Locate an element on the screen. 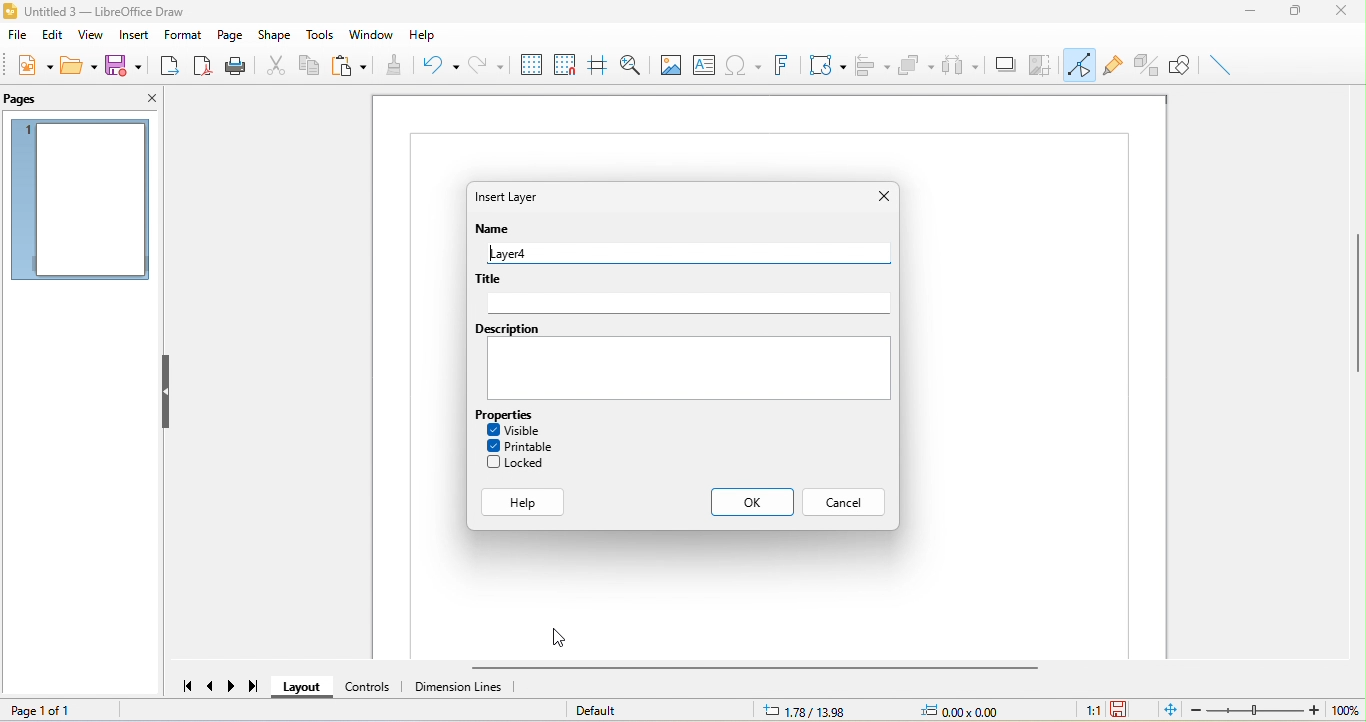 This screenshot has height=722, width=1366. Text box is located at coordinates (687, 368).